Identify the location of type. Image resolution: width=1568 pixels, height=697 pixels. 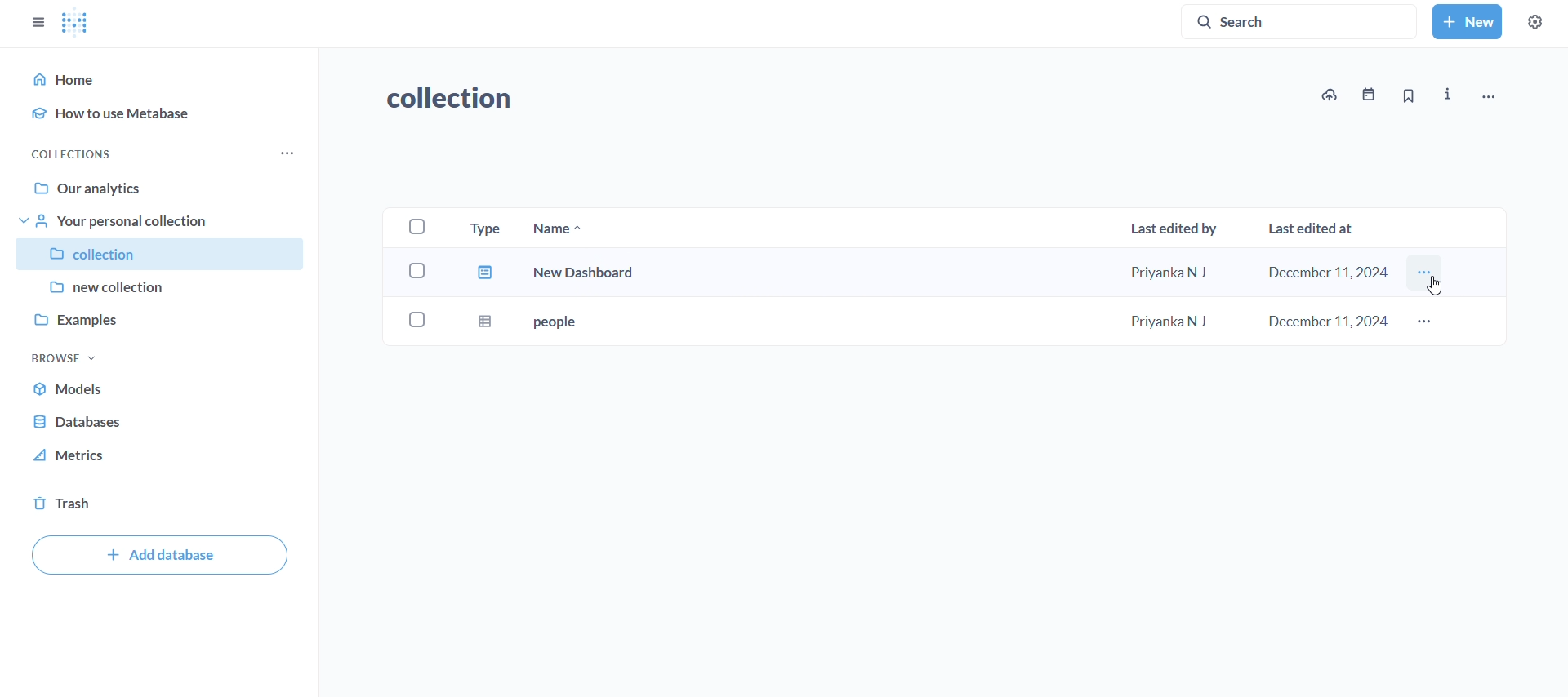
(483, 227).